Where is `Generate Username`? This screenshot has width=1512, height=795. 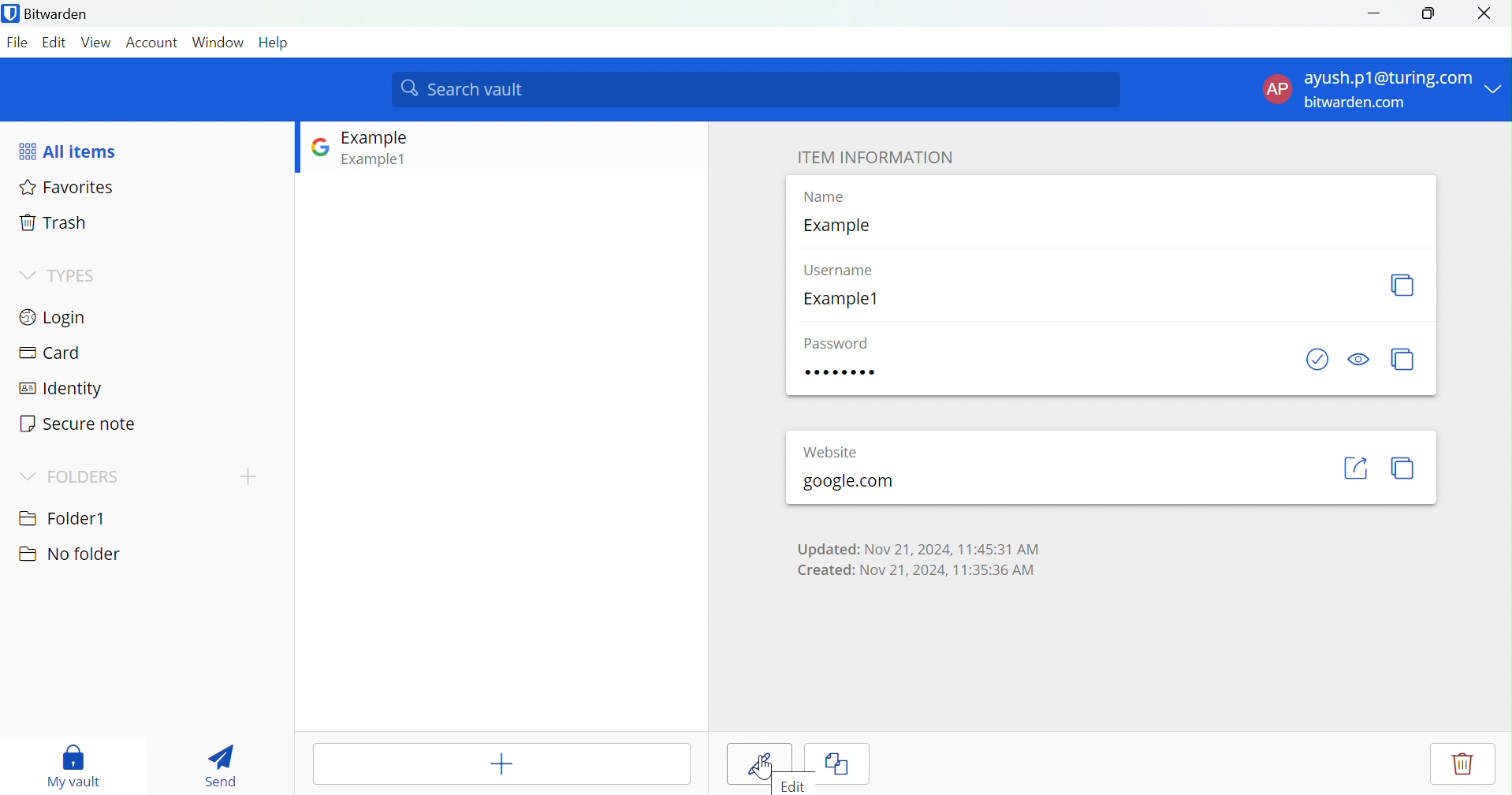
Generate Username is located at coordinates (1402, 286).